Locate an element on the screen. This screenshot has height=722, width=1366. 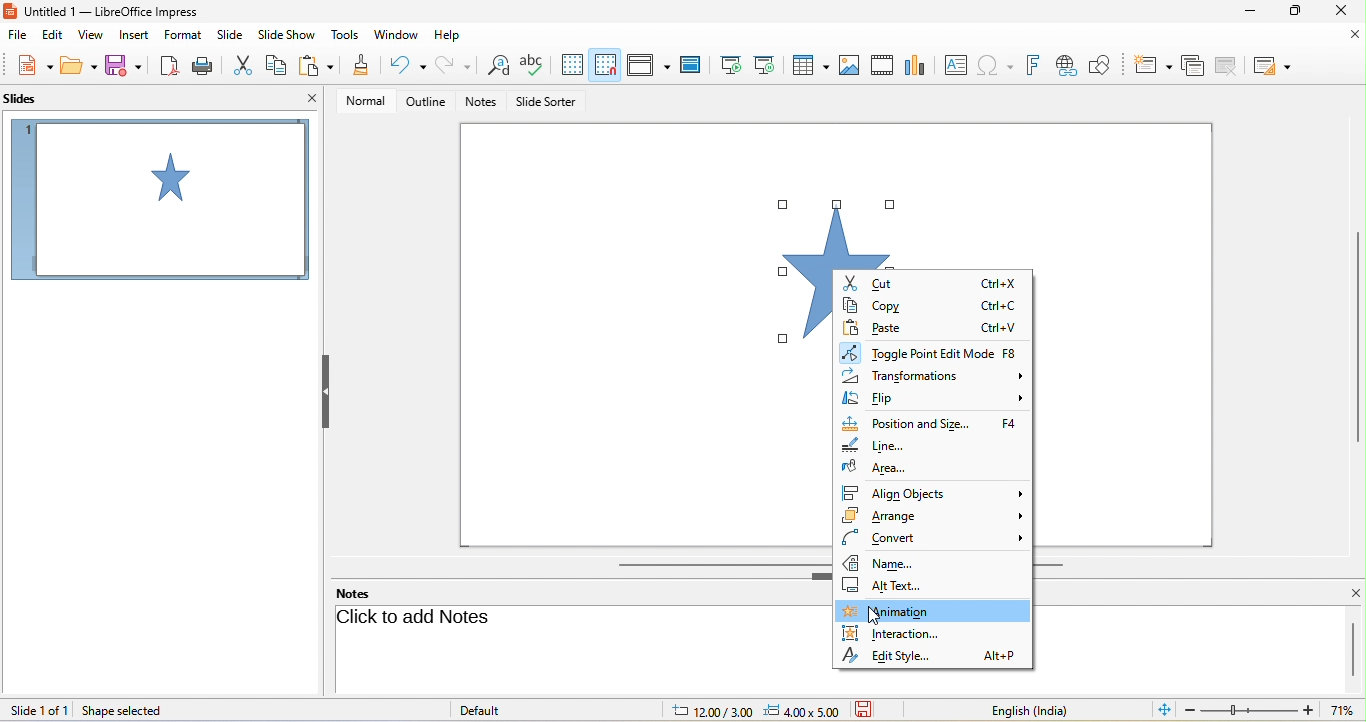
slide1 is located at coordinates (159, 203).